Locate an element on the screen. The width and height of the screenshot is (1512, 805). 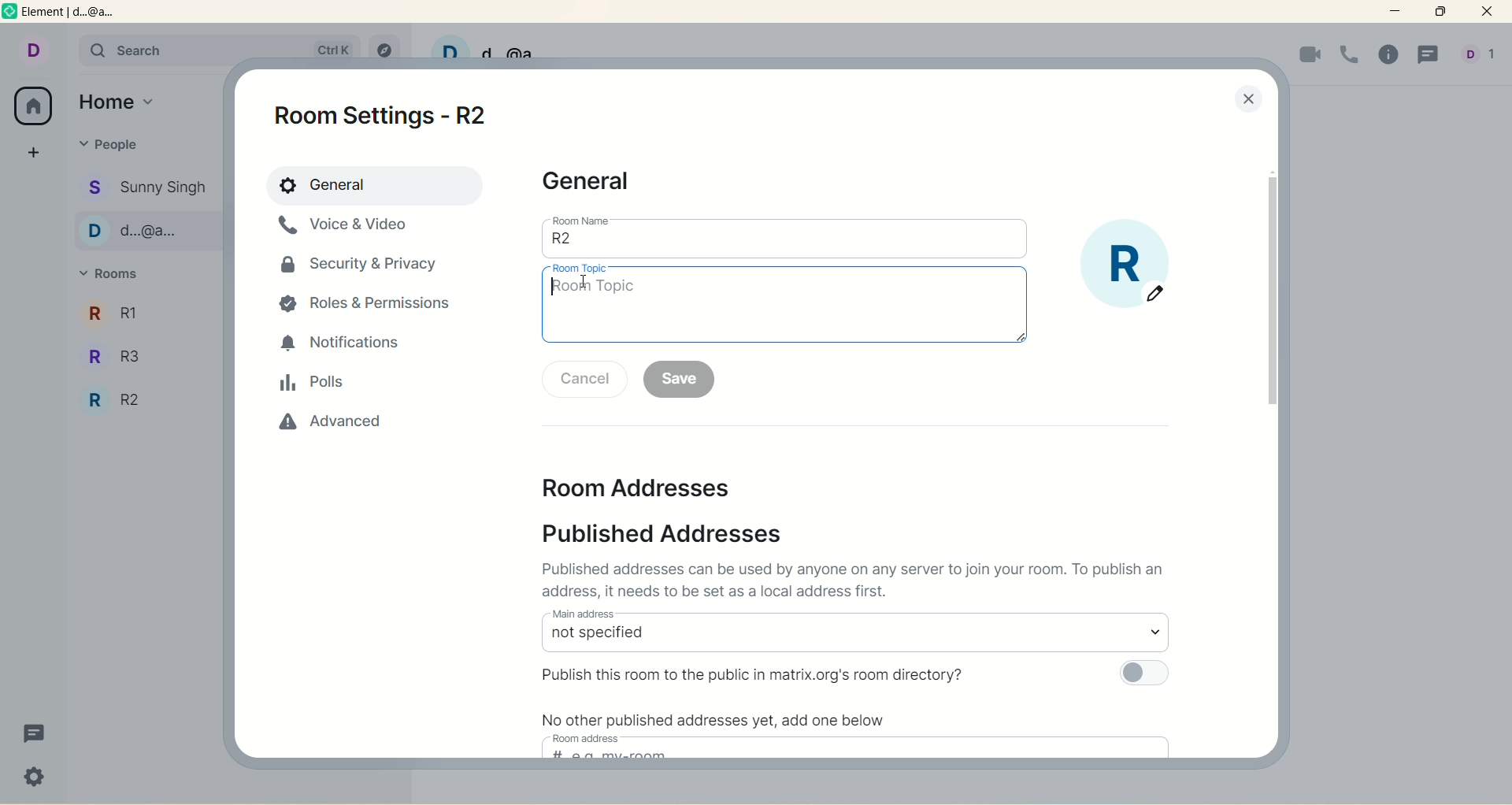
cancel is located at coordinates (585, 379).